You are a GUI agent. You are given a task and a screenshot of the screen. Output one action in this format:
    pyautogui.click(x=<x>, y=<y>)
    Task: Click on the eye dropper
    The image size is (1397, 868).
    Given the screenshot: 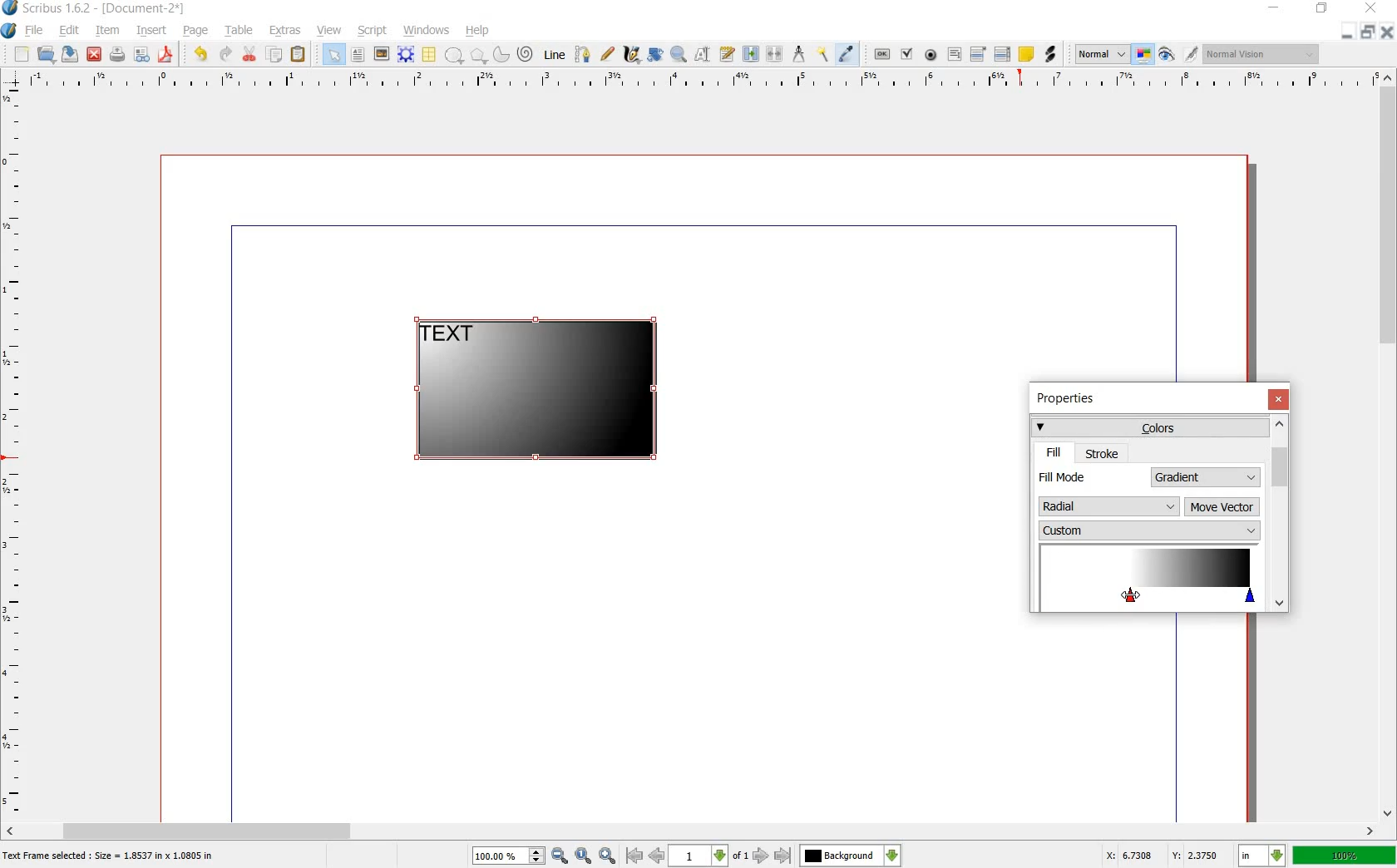 What is the action you would take?
    pyautogui.click(x=847, y=55)
    